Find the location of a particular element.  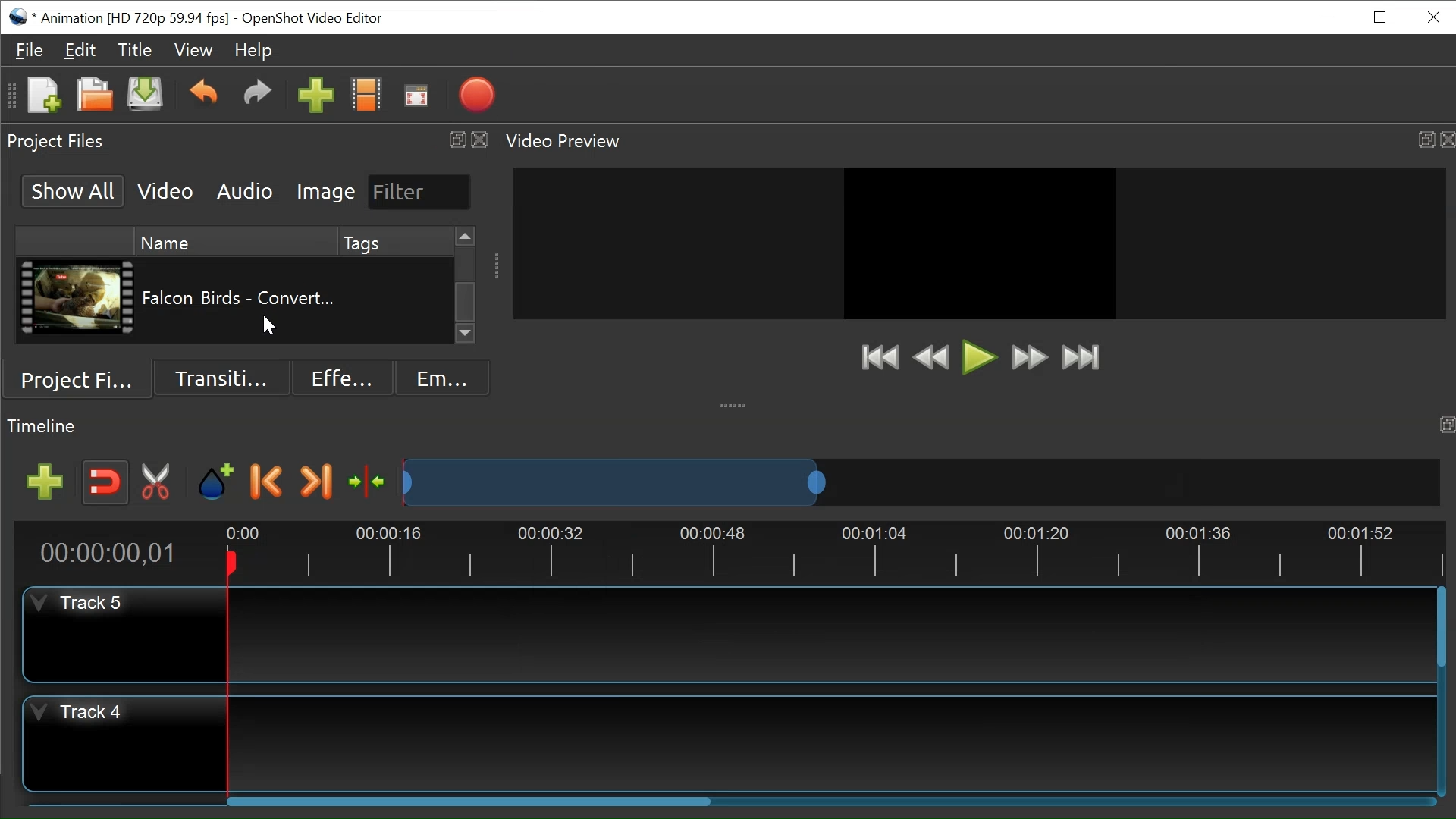

Video Preview Panel is located at coordinates (566, 142).